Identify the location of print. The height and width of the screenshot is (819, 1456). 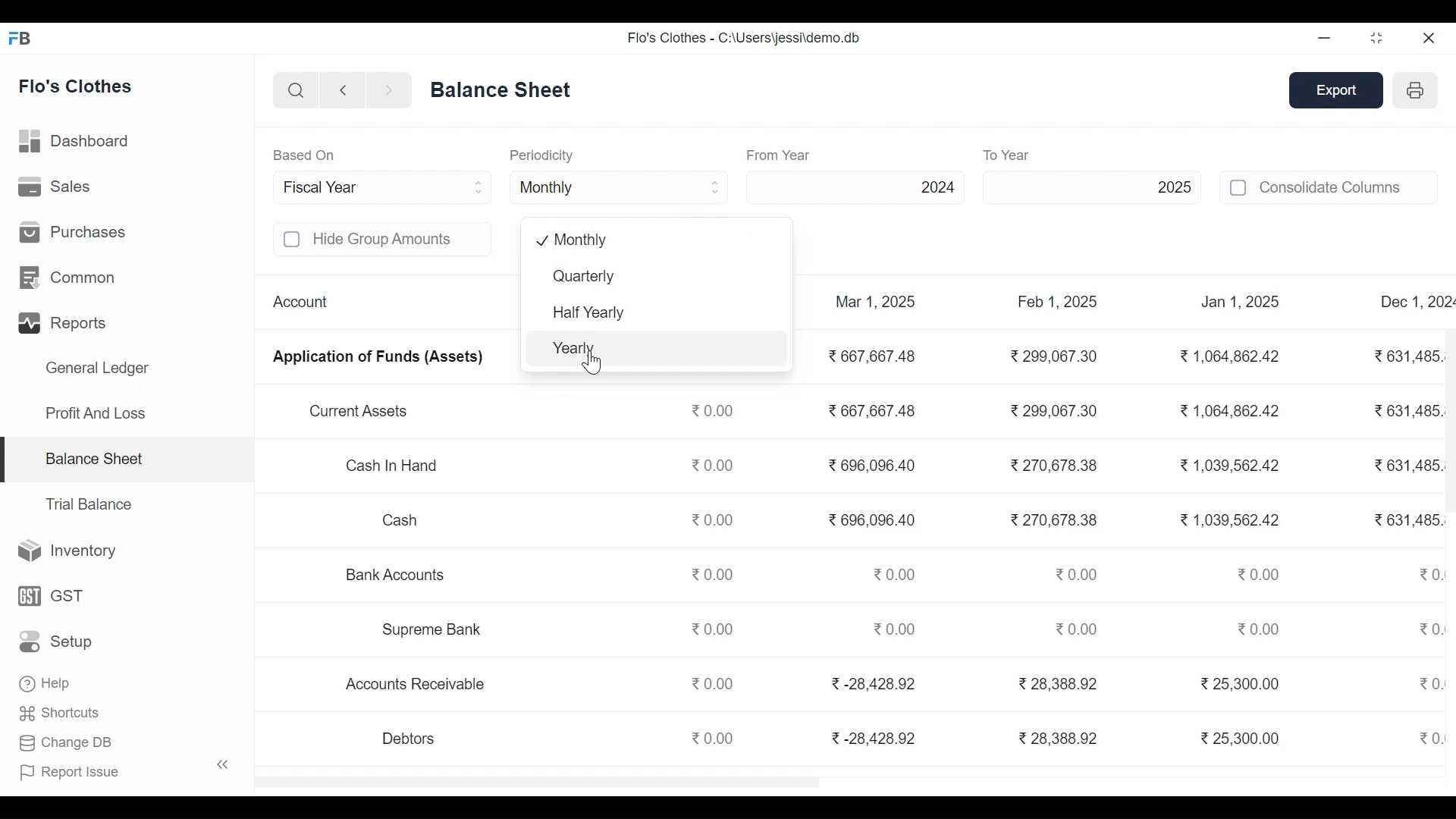
(1417, 89).